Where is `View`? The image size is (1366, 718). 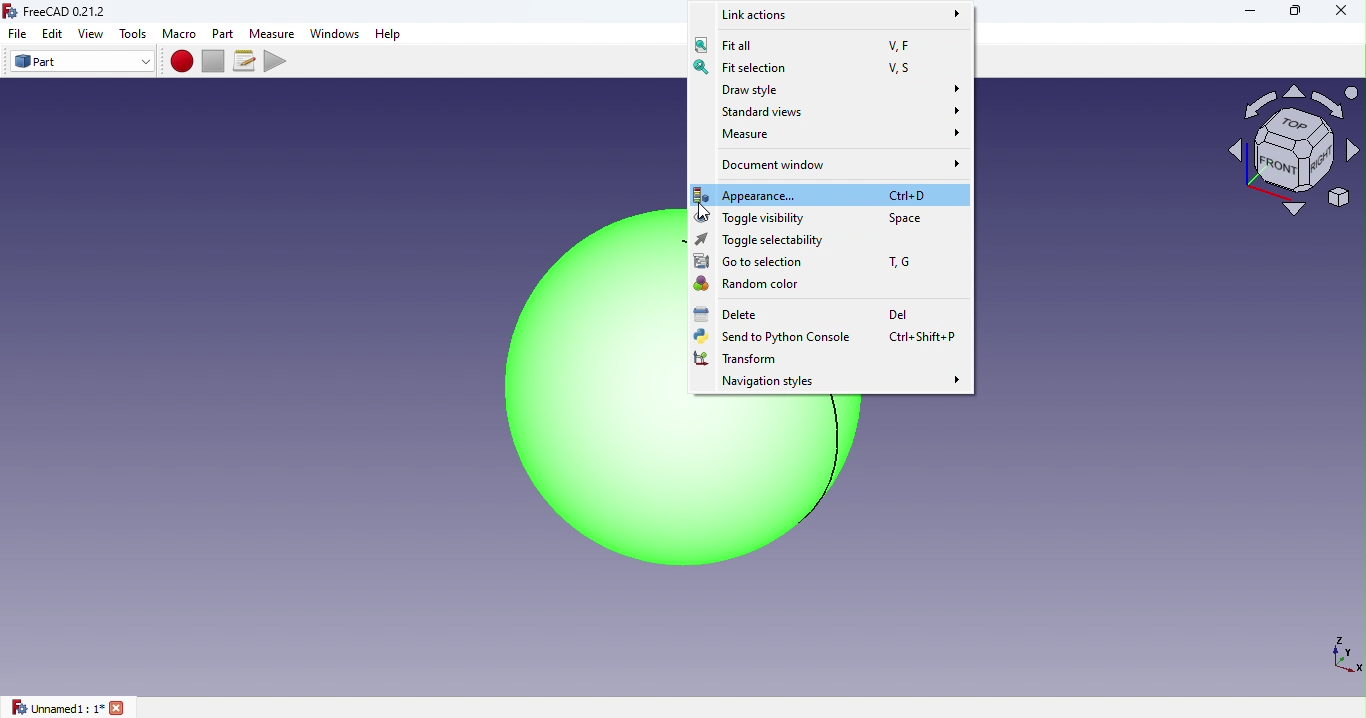
View is located at coordinates (94, 34).